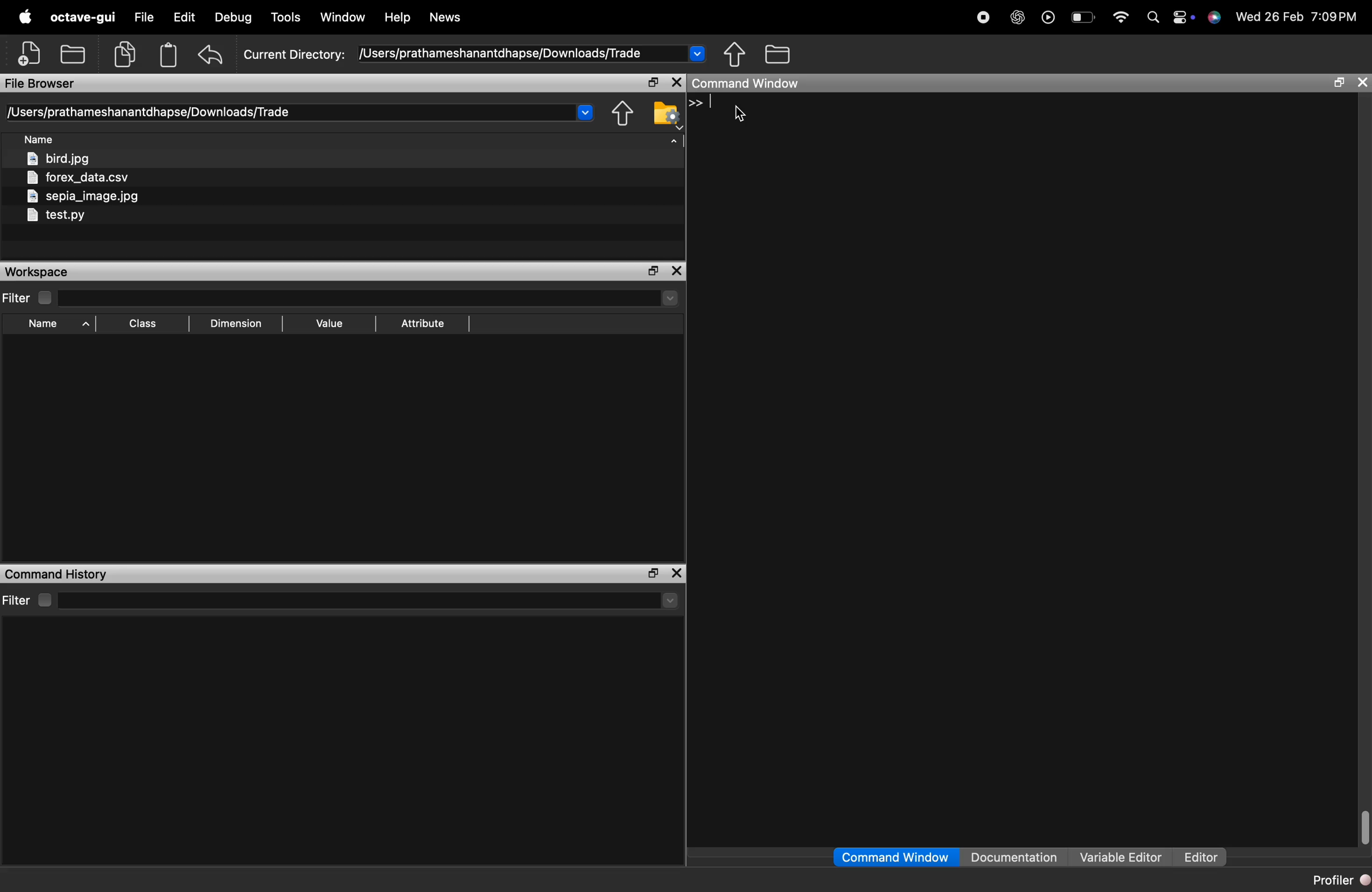 This screenshot has width=1372, height=892. I want to click on files, so click(108, 190).